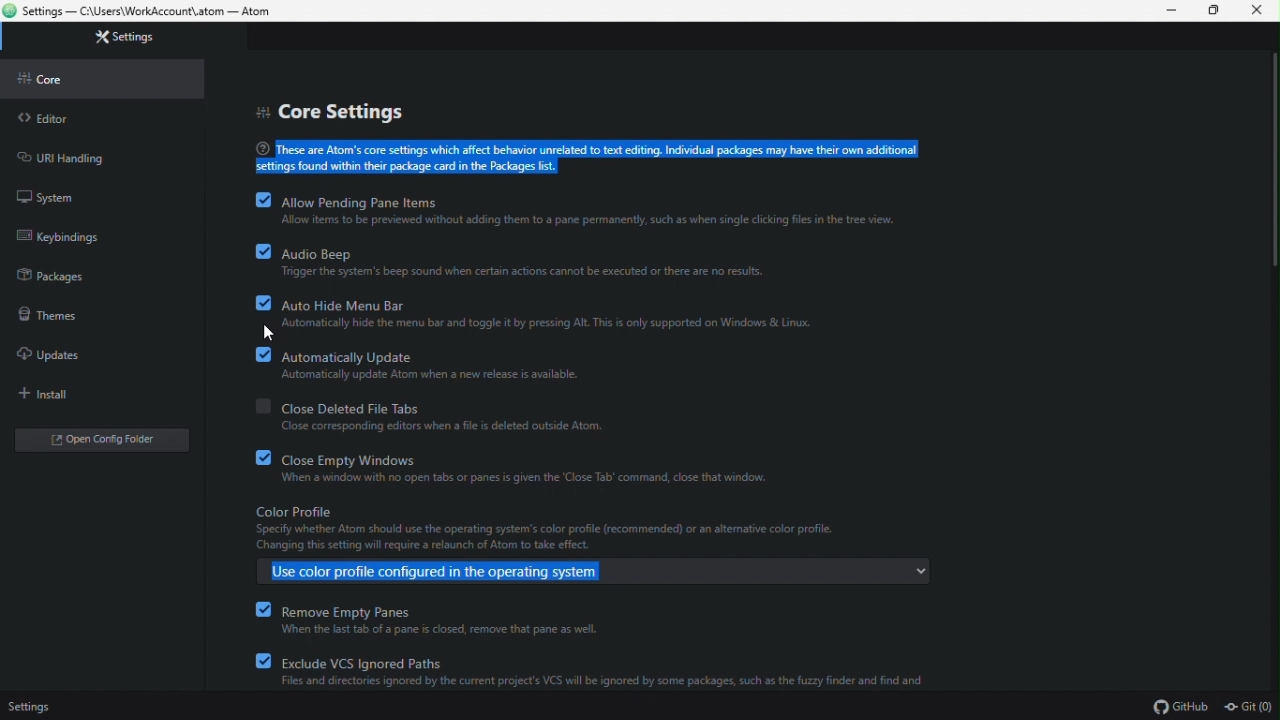 This screenshot has height=720, width=1280. I want to click on These are Atom's core settings which affect behavior unrelated to text editing. Individual packages may have their own additional settings found withing their package card in the packages list, so click(622, 158).